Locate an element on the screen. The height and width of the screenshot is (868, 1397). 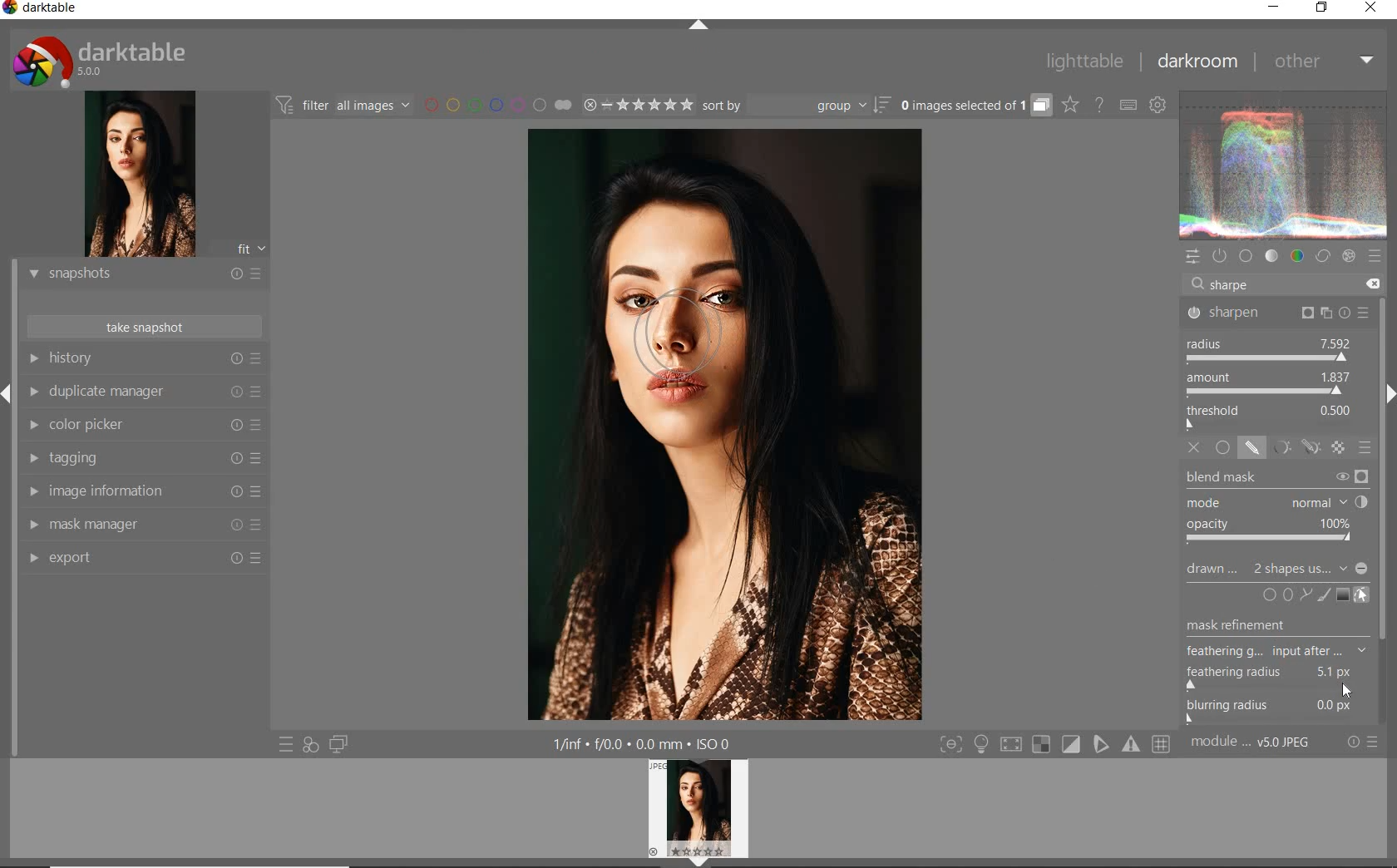
EDIT MASK ELEMENT is located at coordinates (1364, 594).